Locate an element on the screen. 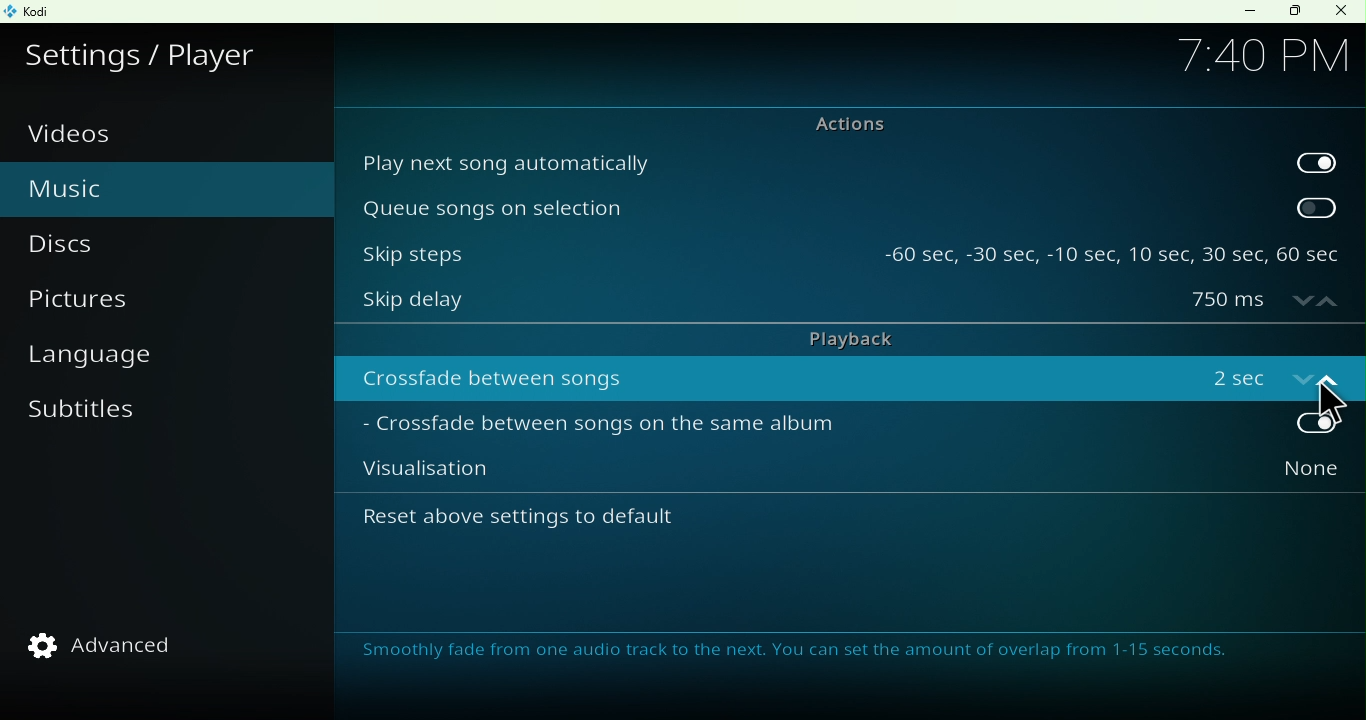 Image resolution: width=1366 pixels, height=720 pixels. Language is located at coordinates (108, 360).